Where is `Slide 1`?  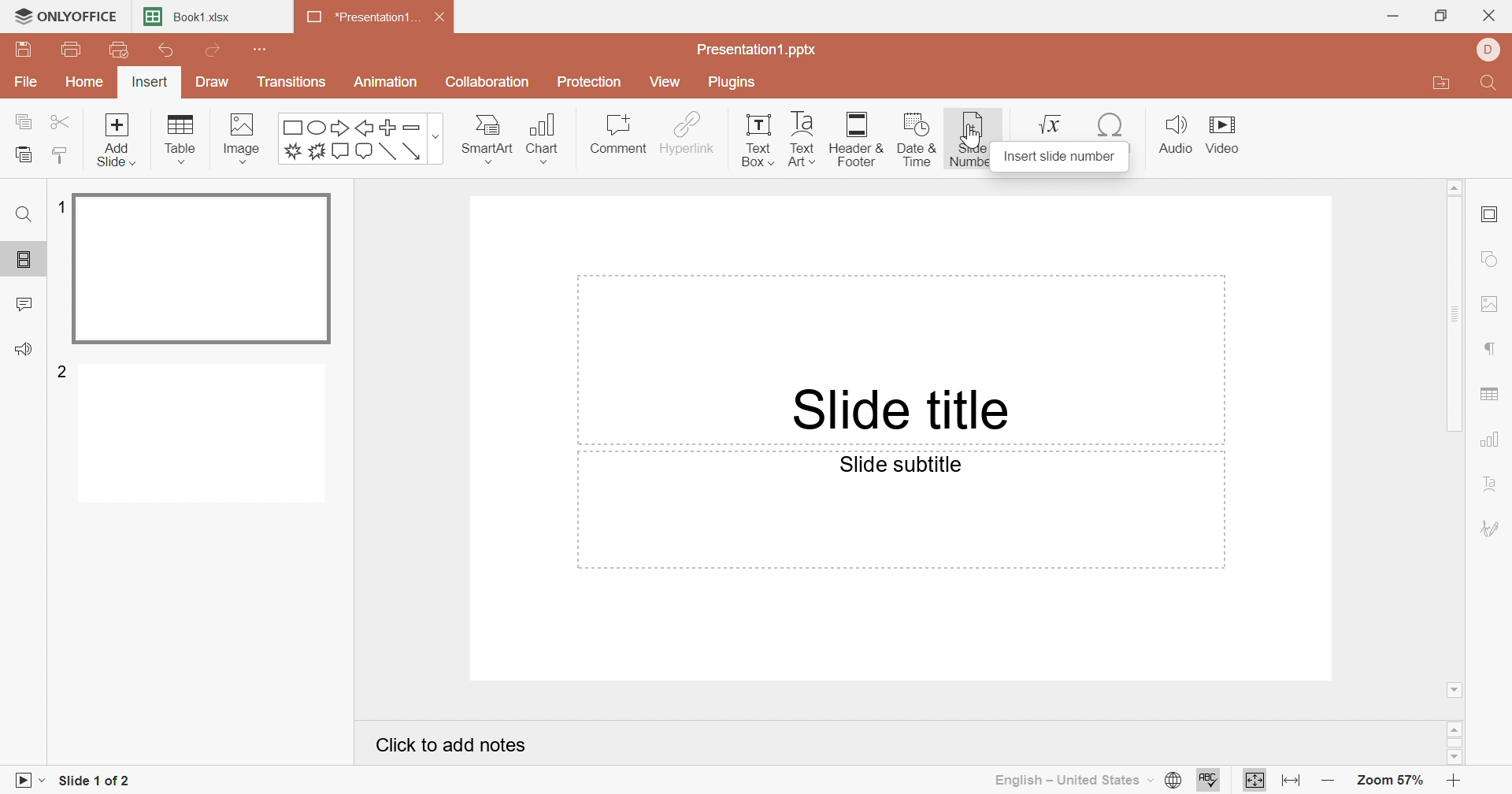 Slide 1 is located at coordinates (205, 270).